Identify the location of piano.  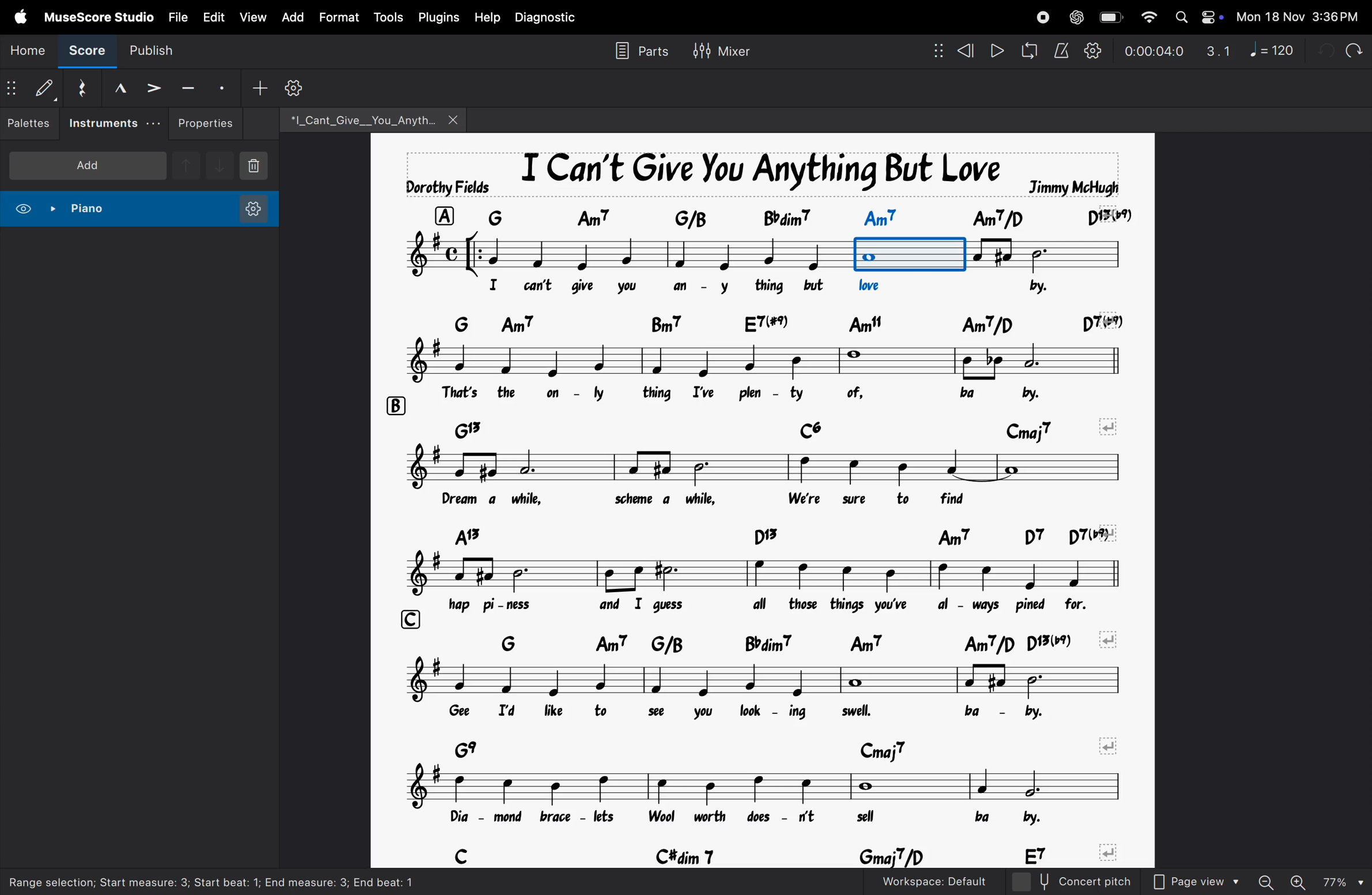
(59, 210).